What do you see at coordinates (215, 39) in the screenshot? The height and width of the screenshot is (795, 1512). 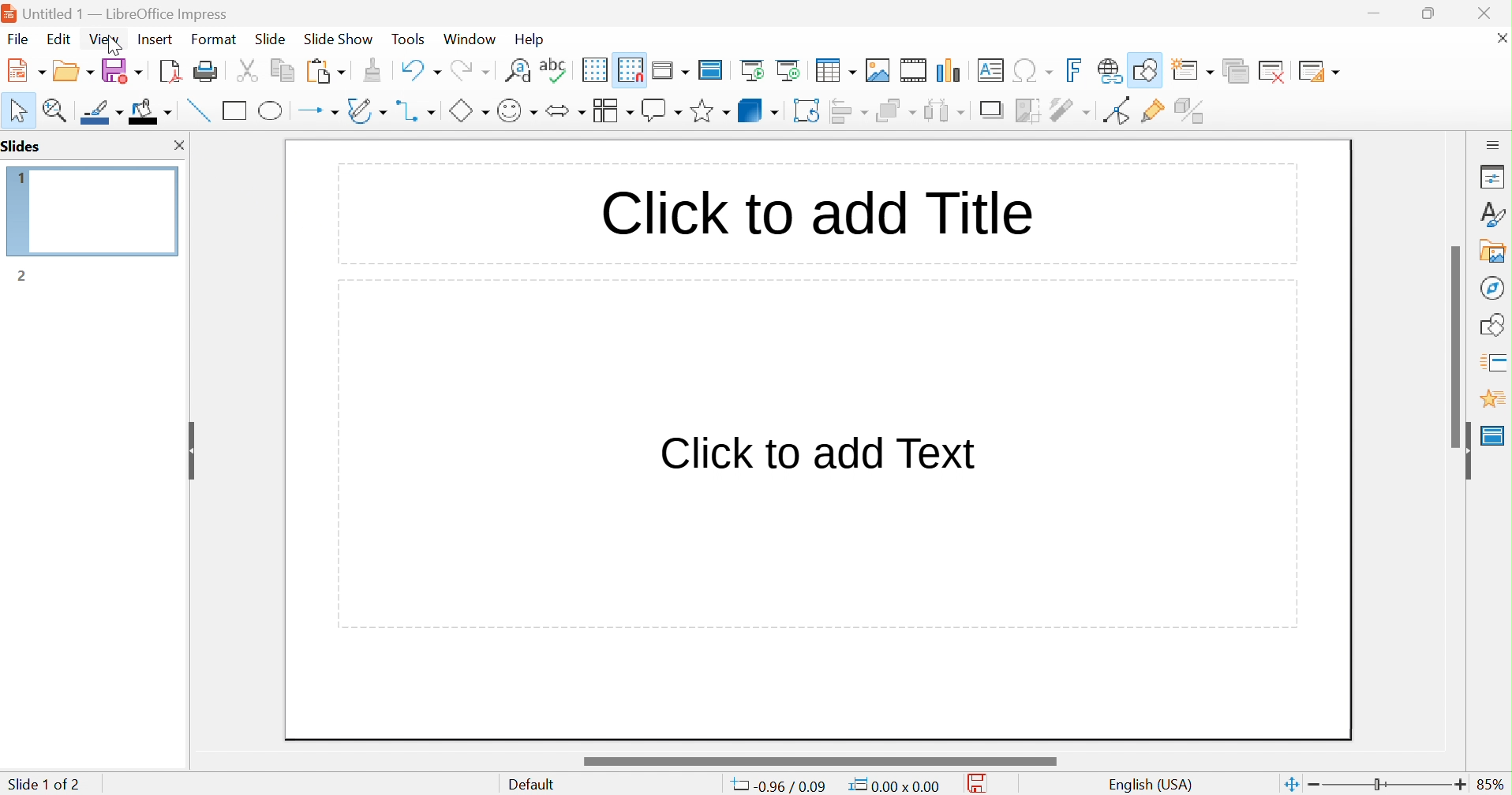 I see `format` at bounding box center [215, 39].